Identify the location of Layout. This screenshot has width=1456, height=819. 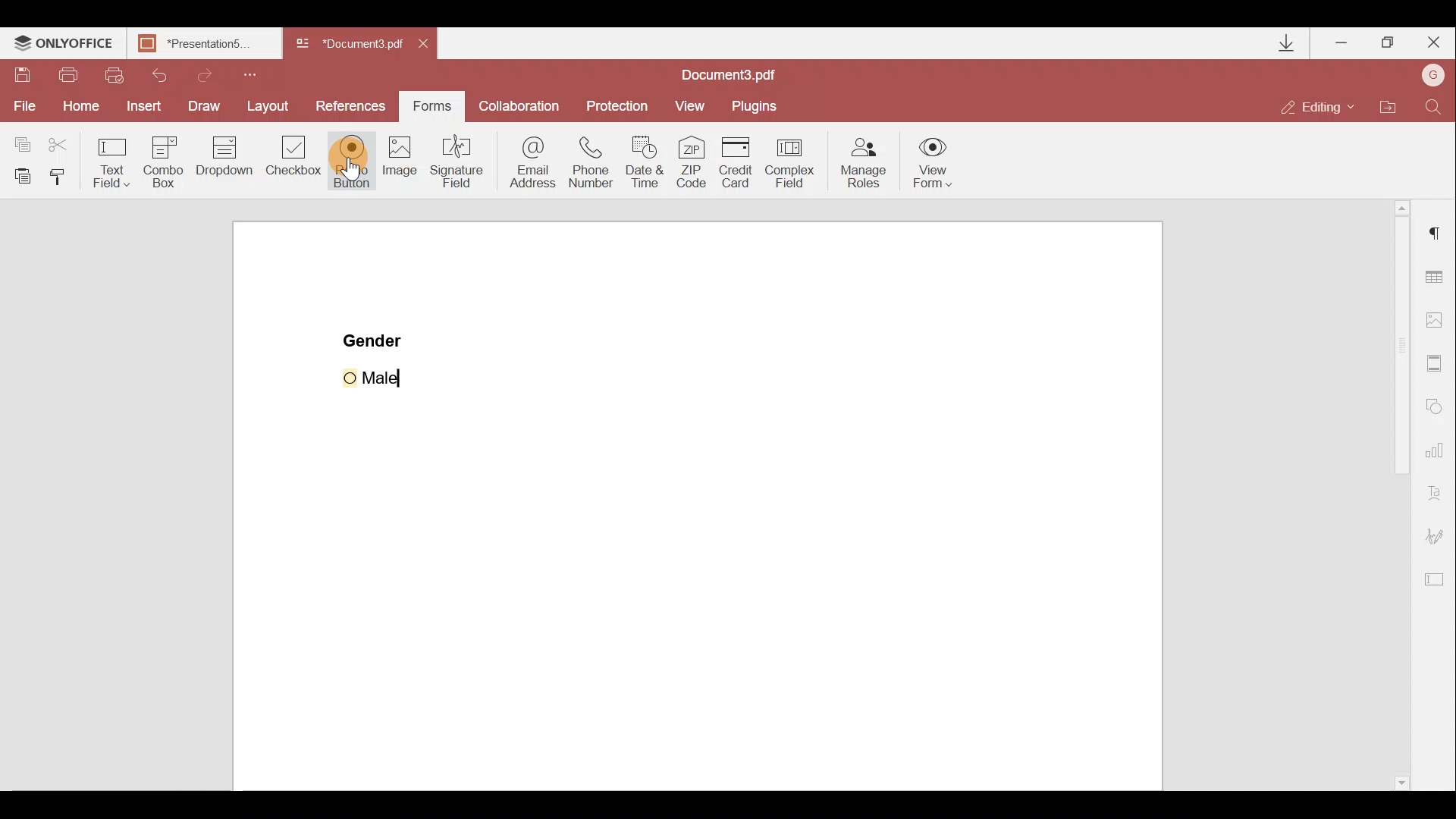
(271, 108).